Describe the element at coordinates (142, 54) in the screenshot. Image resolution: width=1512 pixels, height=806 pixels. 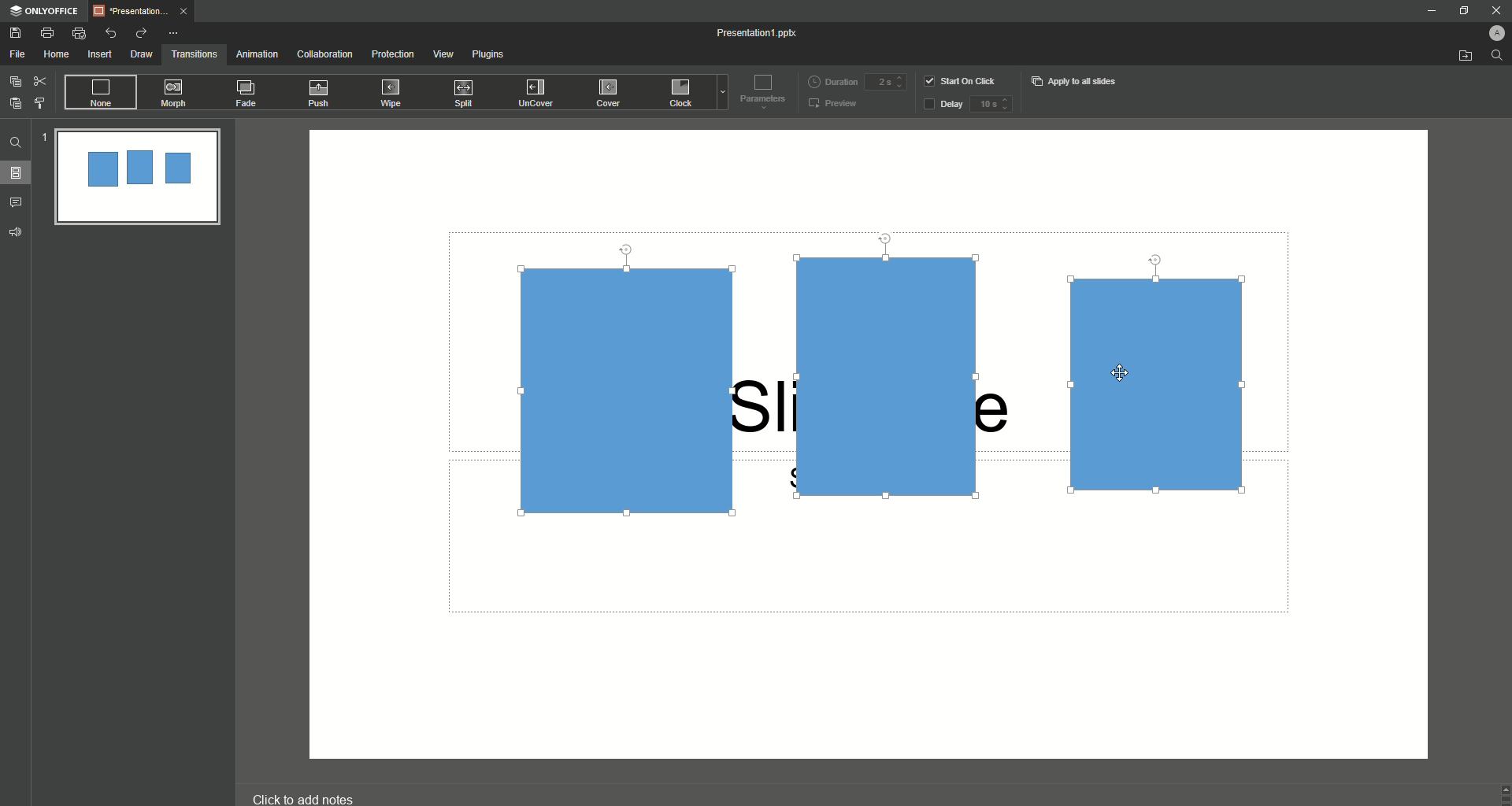
I see `Draw` at that location.